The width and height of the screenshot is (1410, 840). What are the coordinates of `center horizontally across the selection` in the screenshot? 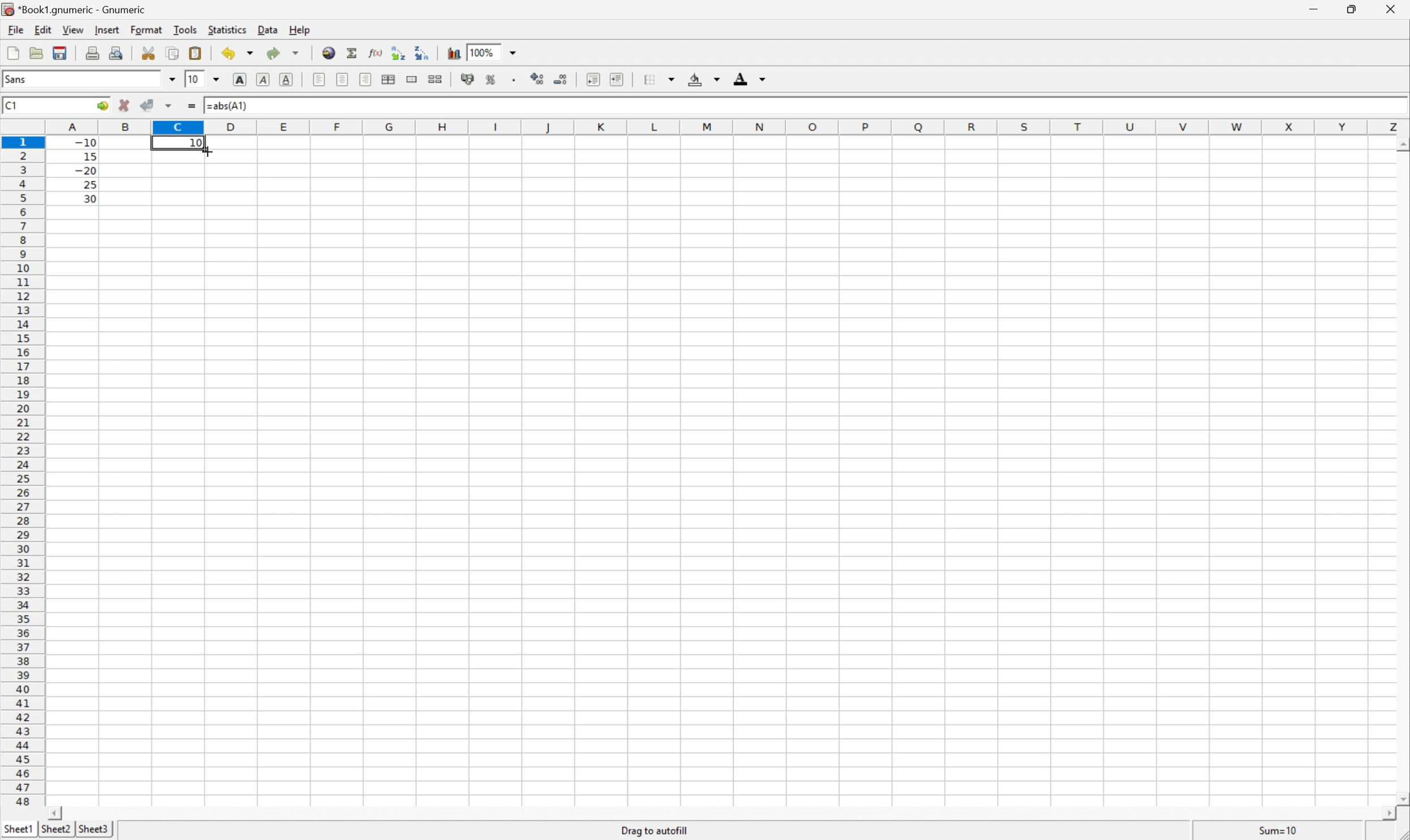 It's located at (390, 80).